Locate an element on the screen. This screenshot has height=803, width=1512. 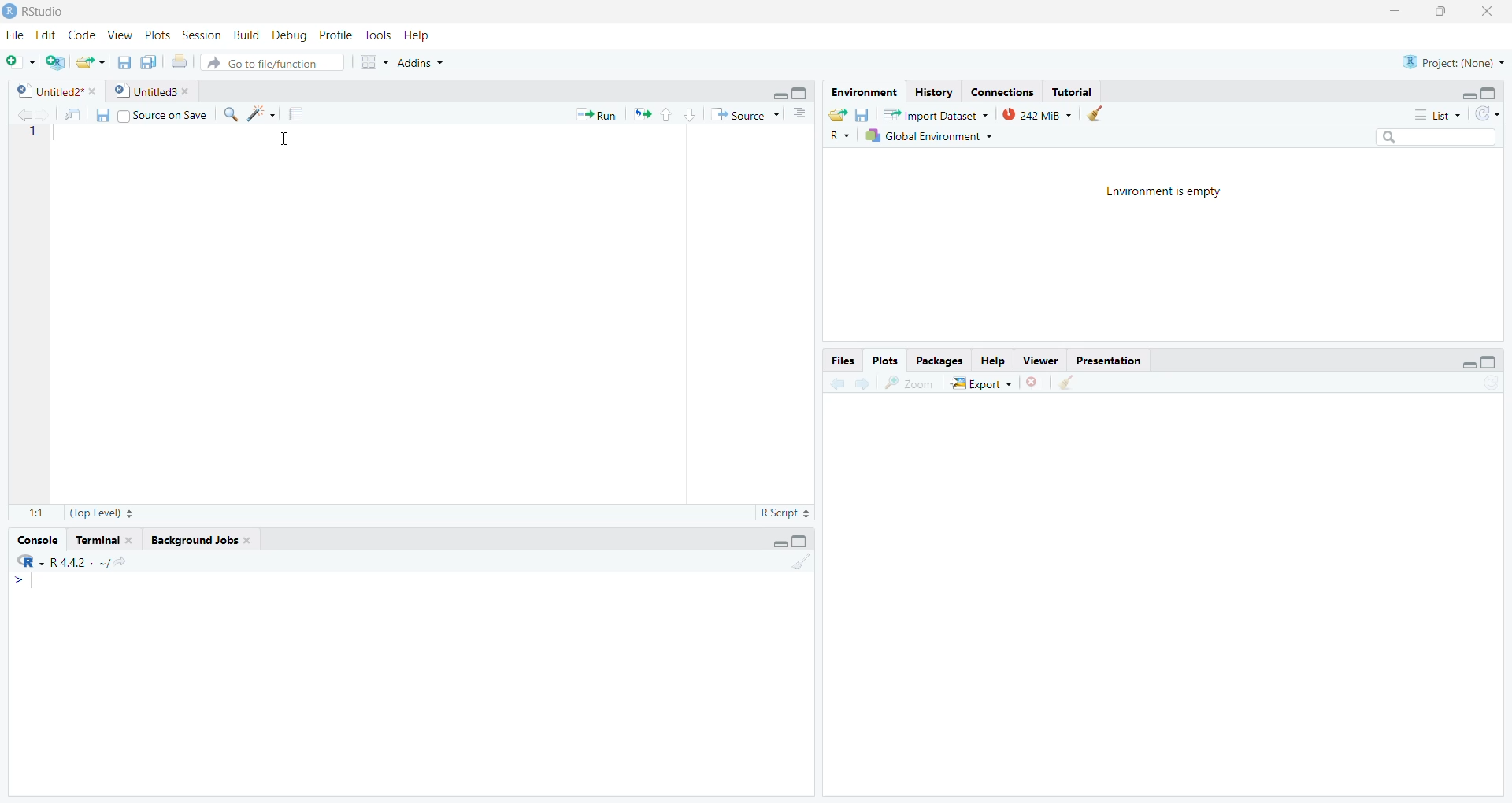
Maximize is located at coordinates (802, 542).